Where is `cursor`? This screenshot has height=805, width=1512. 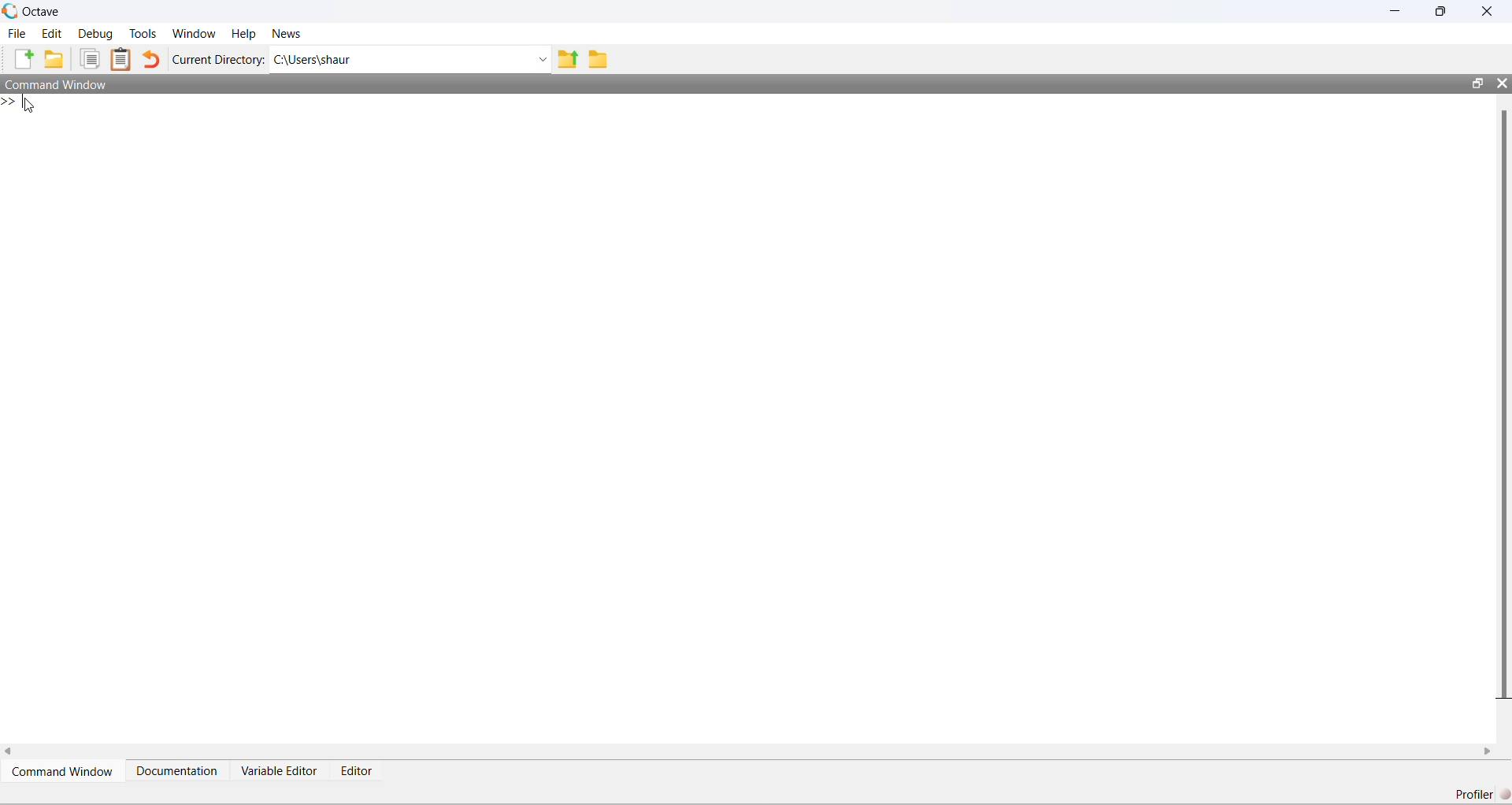 cursor is located at coordinates (30, 106).